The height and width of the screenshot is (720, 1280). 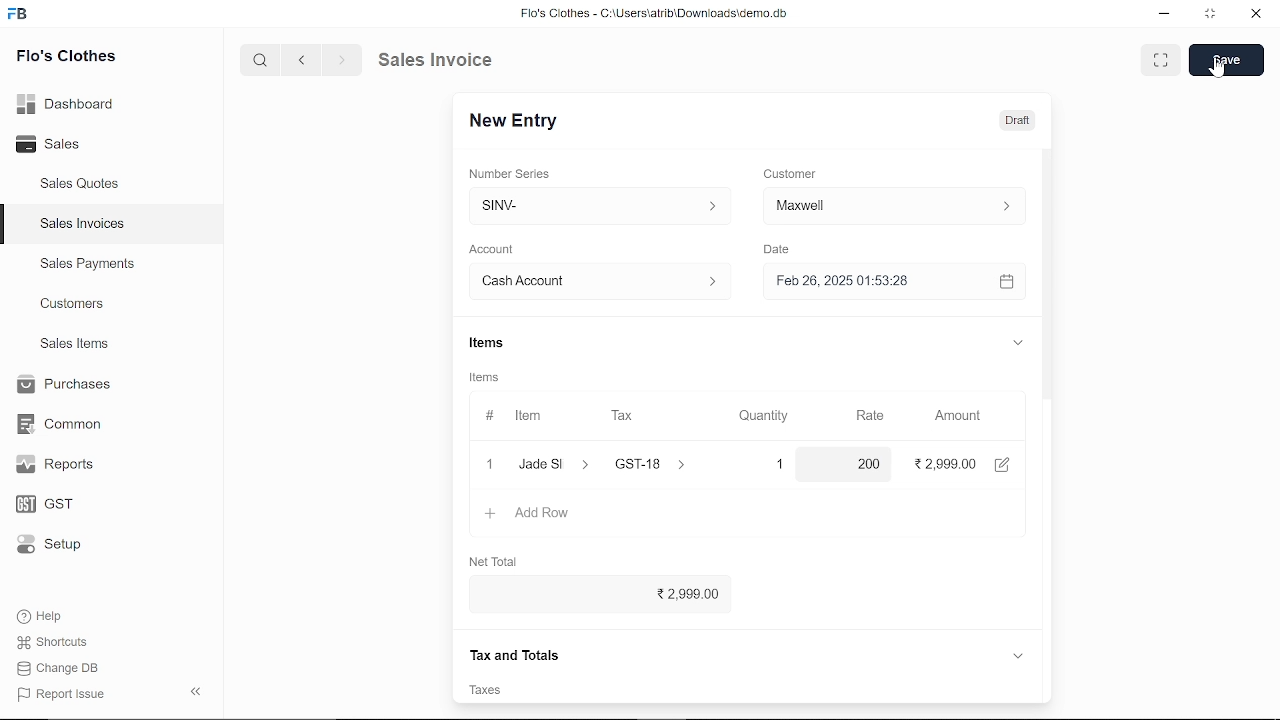 I want to click on next, so click(x=342, y=60).